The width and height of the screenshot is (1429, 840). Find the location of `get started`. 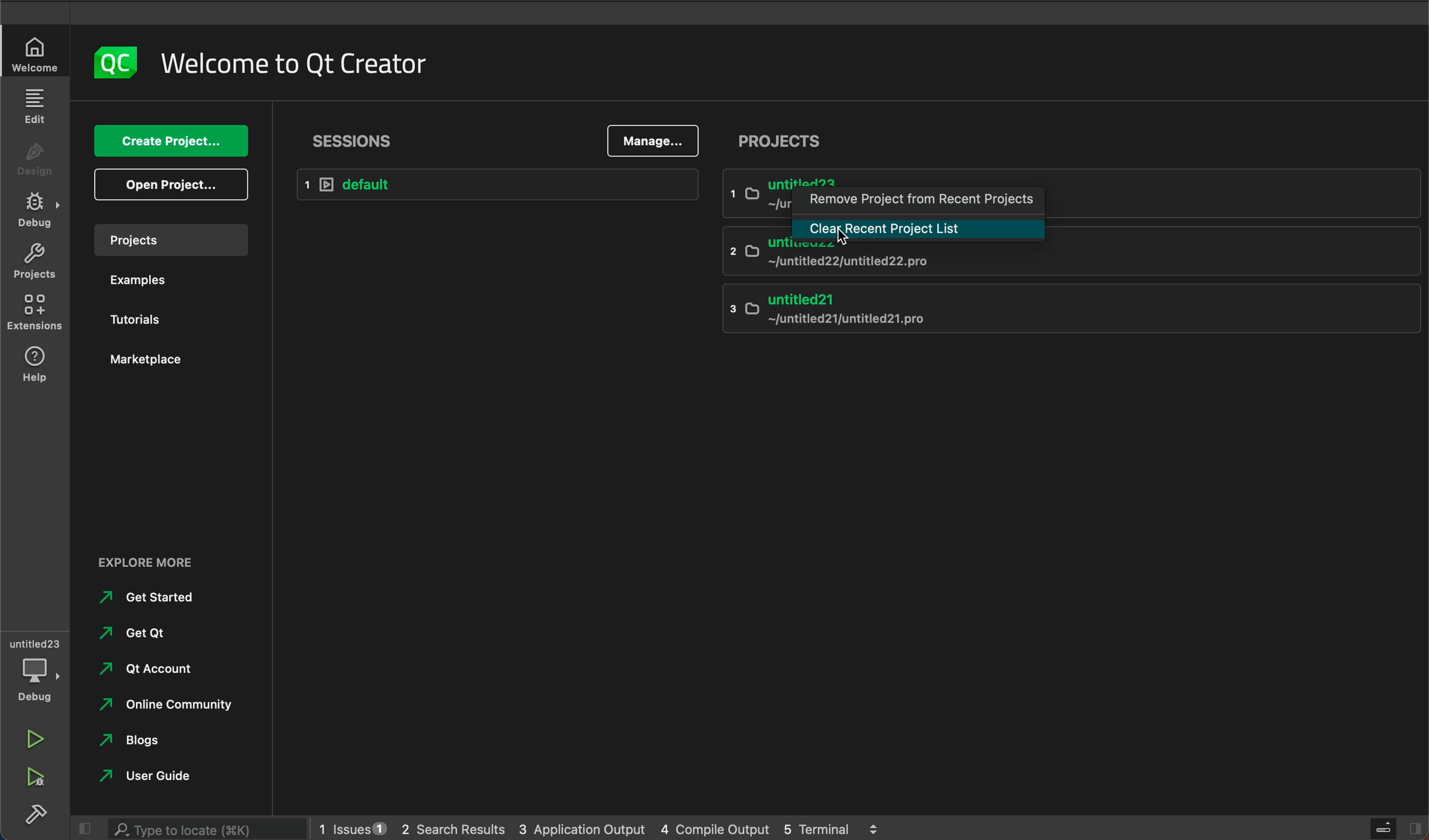

get started is located at coordinates (154, 598).